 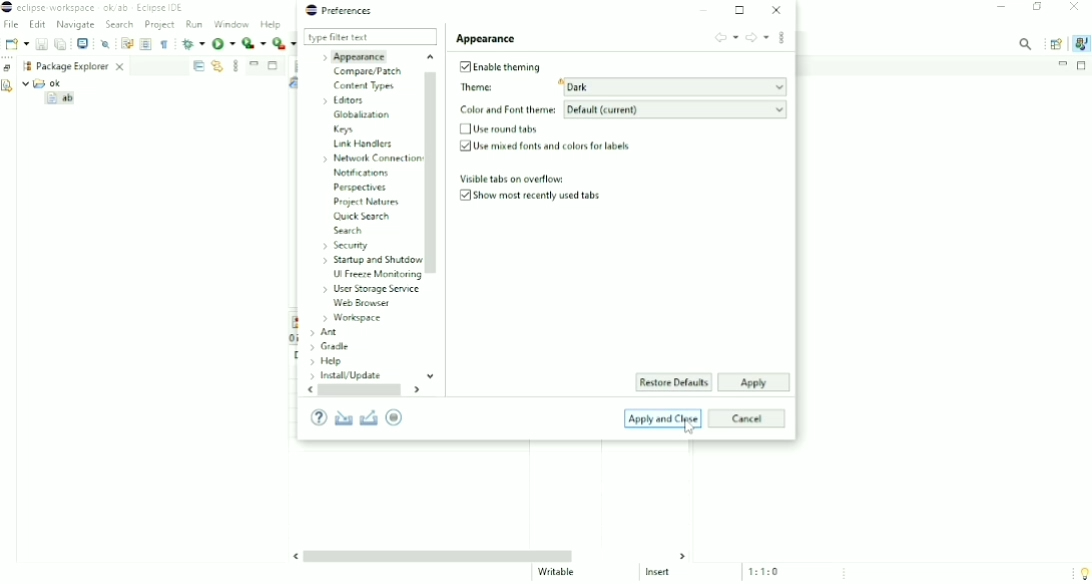 What do you see at coordinates (361, 216) in the screenshot?
I see `Quick Search` at bounding box center [361, 216].